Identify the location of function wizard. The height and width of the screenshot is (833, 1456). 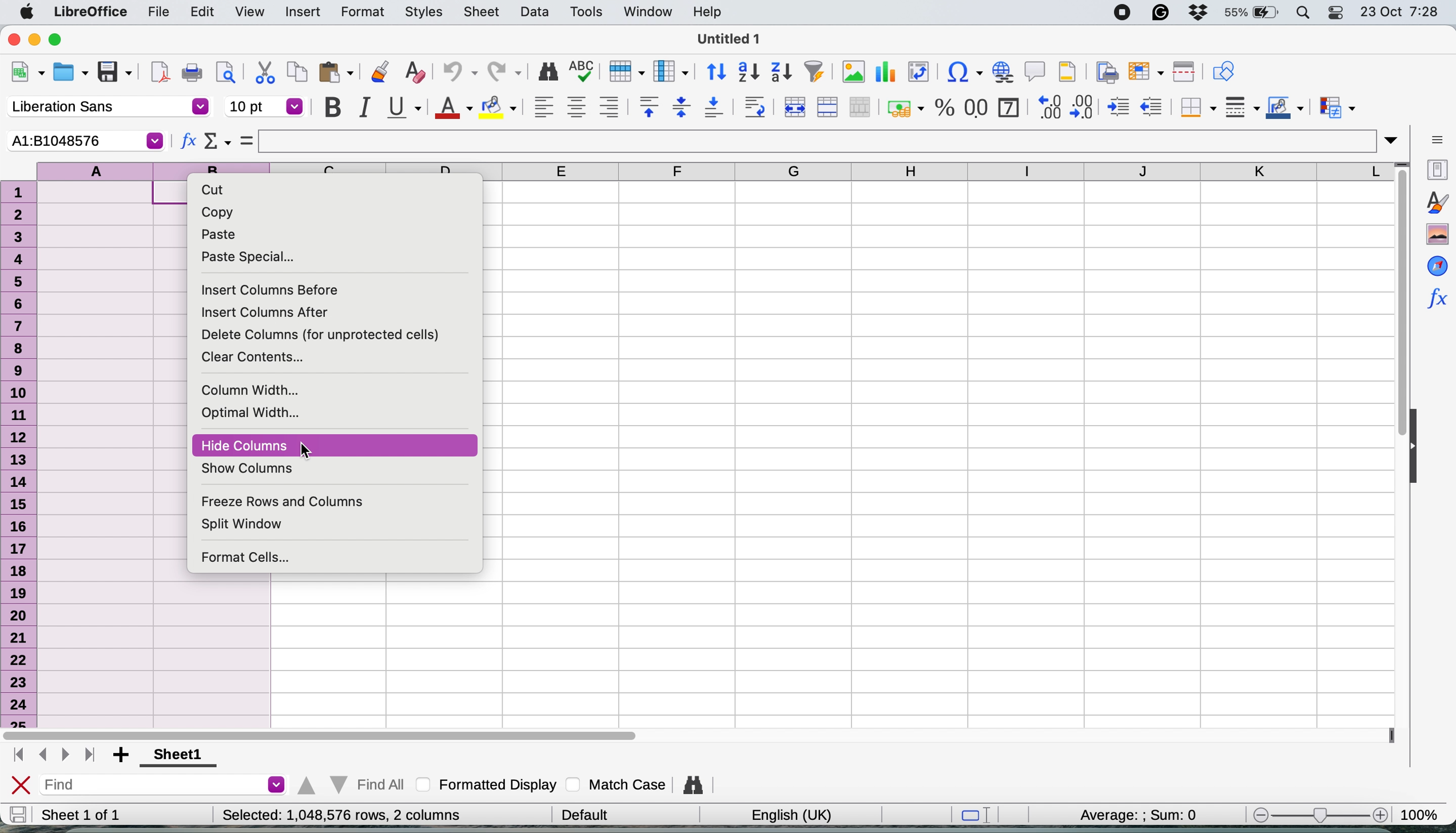
(1436, 298).